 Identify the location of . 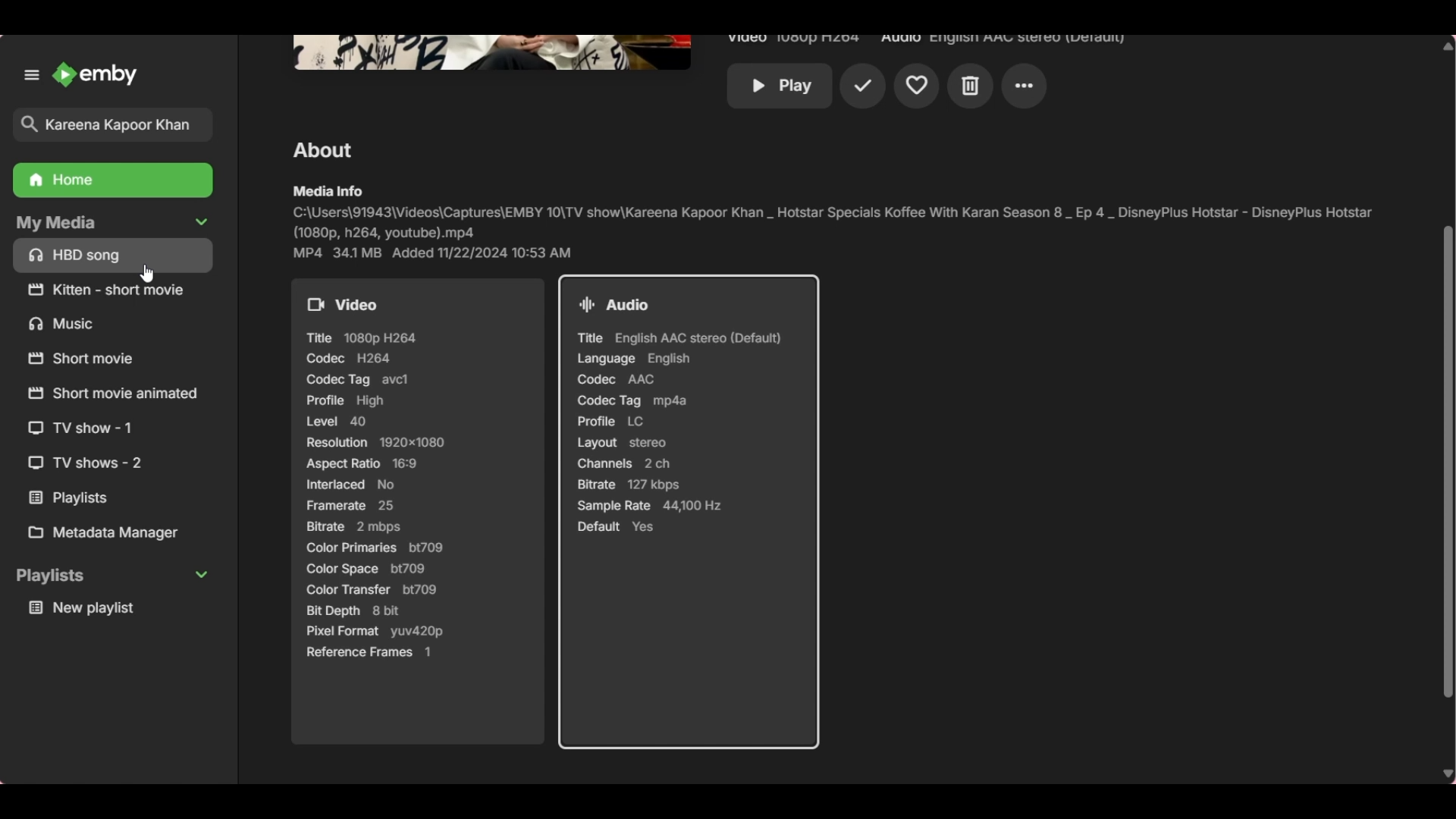
(859, 85).